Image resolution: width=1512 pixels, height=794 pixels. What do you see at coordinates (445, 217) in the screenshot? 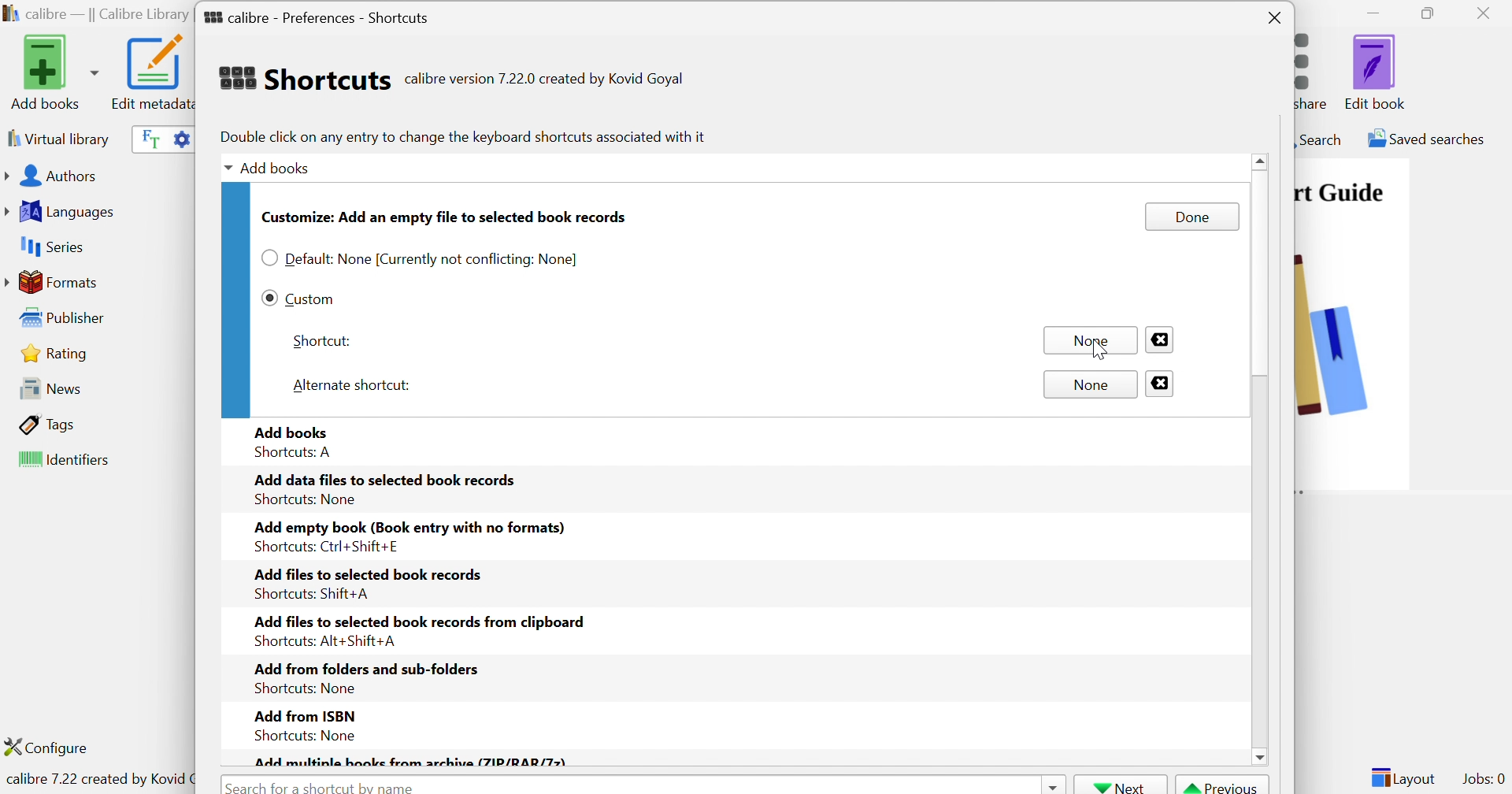
I see `Customize: Add an empty file to selected book records` at bounding box center [445, 217].